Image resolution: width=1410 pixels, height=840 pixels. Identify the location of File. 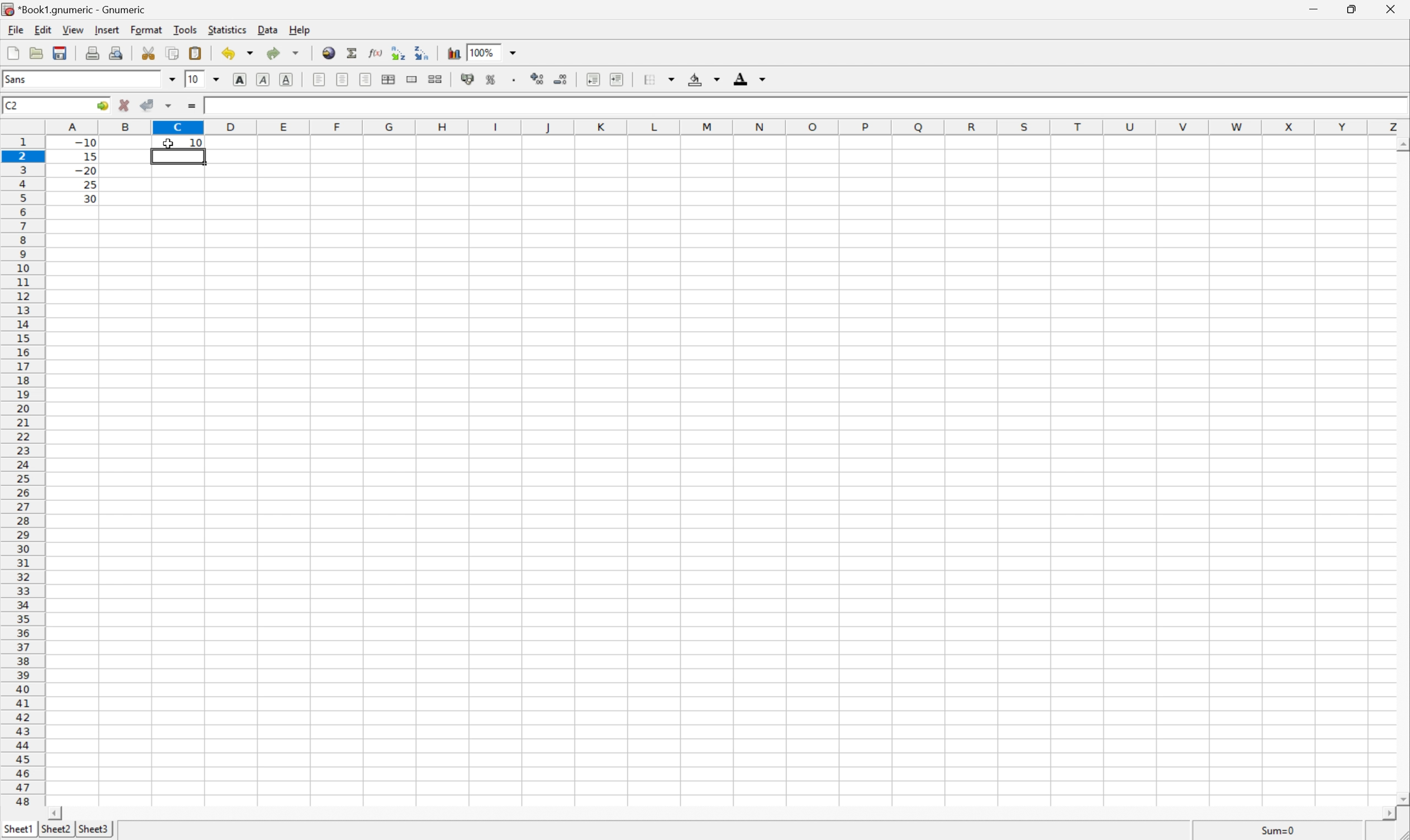
(13, 54).